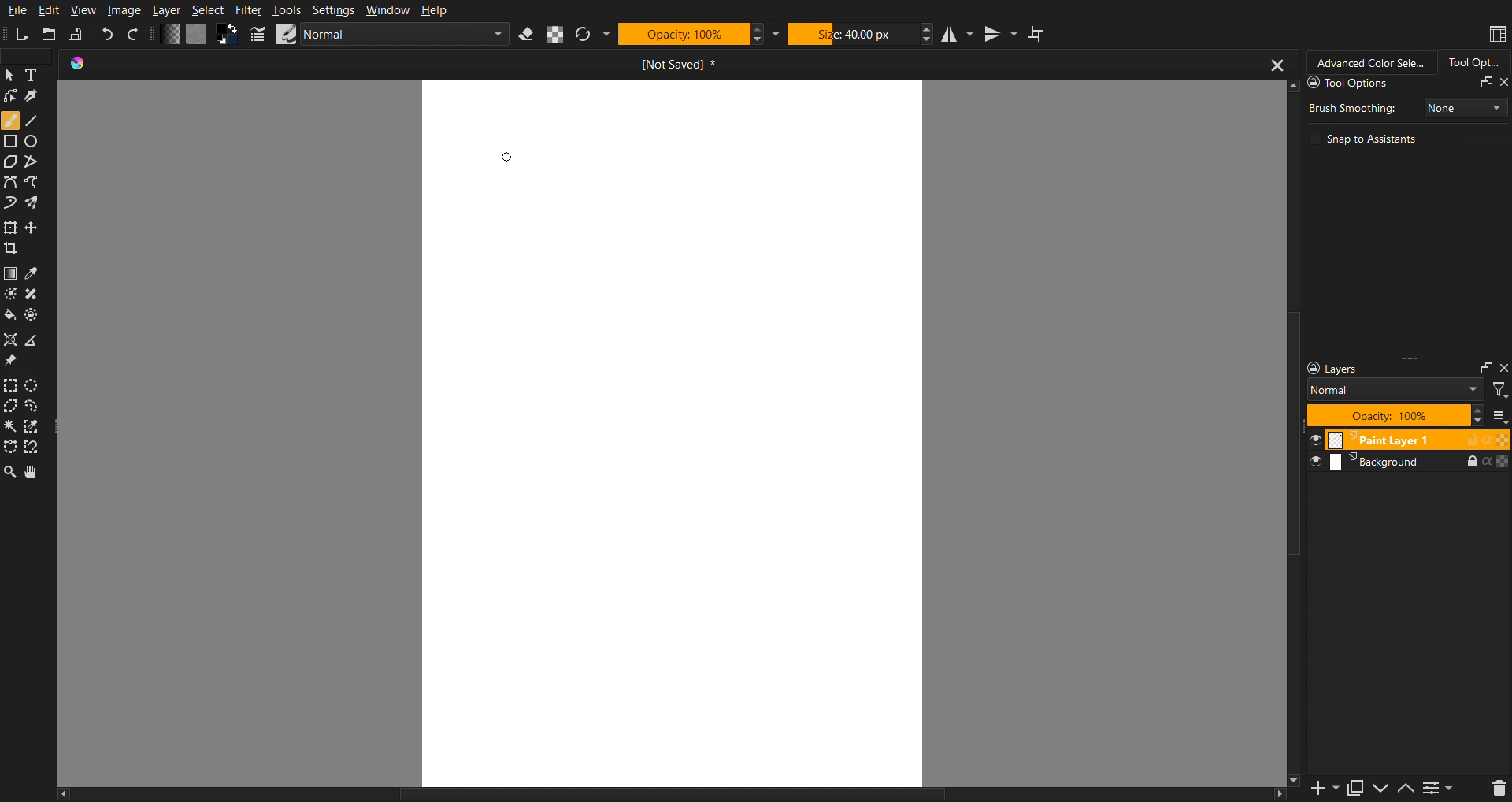  What do you see at coordinates (11, 314) in the screenshot?
I see `Color Fill` at bounding box center [11, 314].